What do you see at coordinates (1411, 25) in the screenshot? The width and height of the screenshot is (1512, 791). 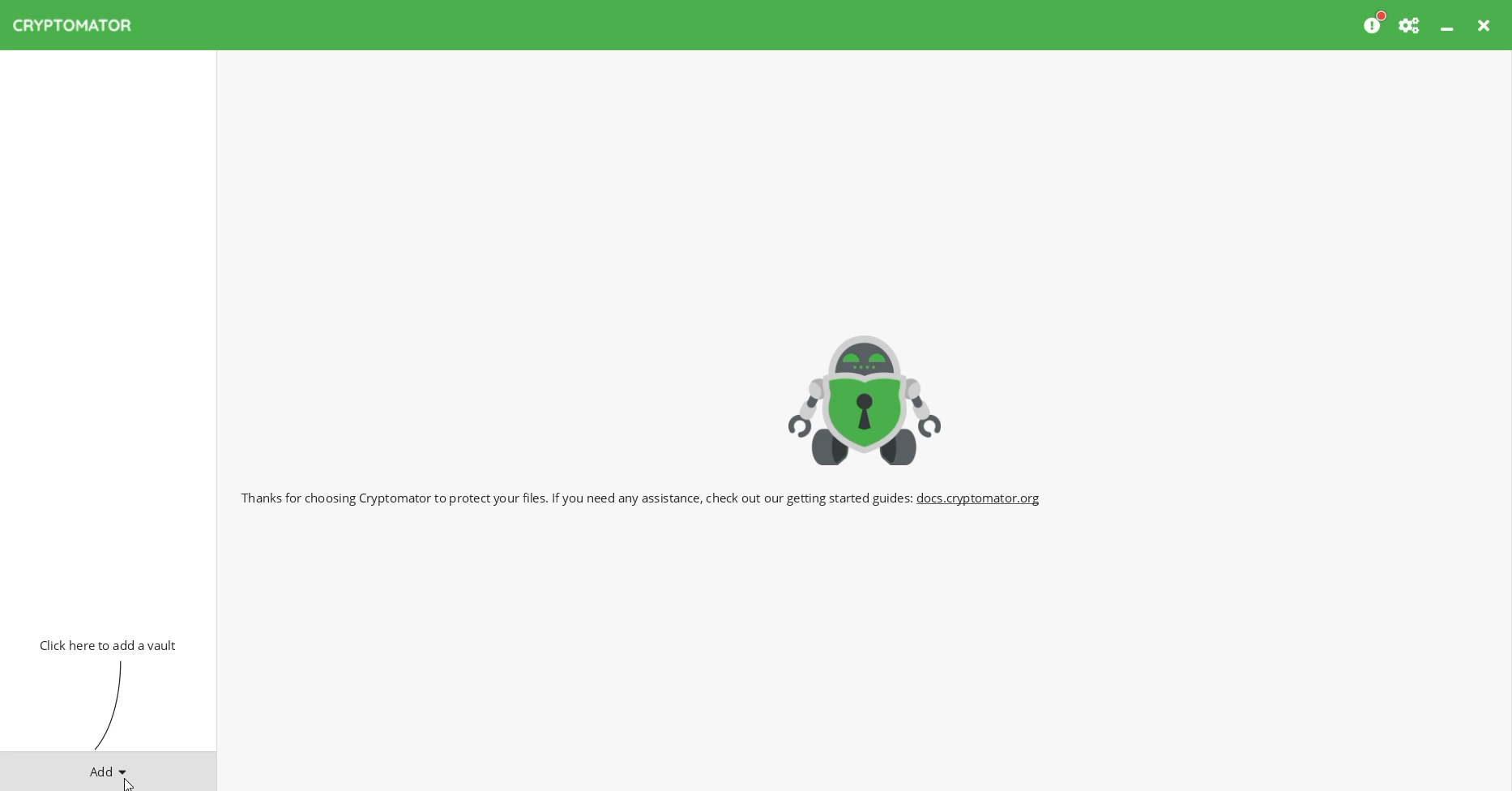 I see `Preferences` at bounding box center [1411, 25].